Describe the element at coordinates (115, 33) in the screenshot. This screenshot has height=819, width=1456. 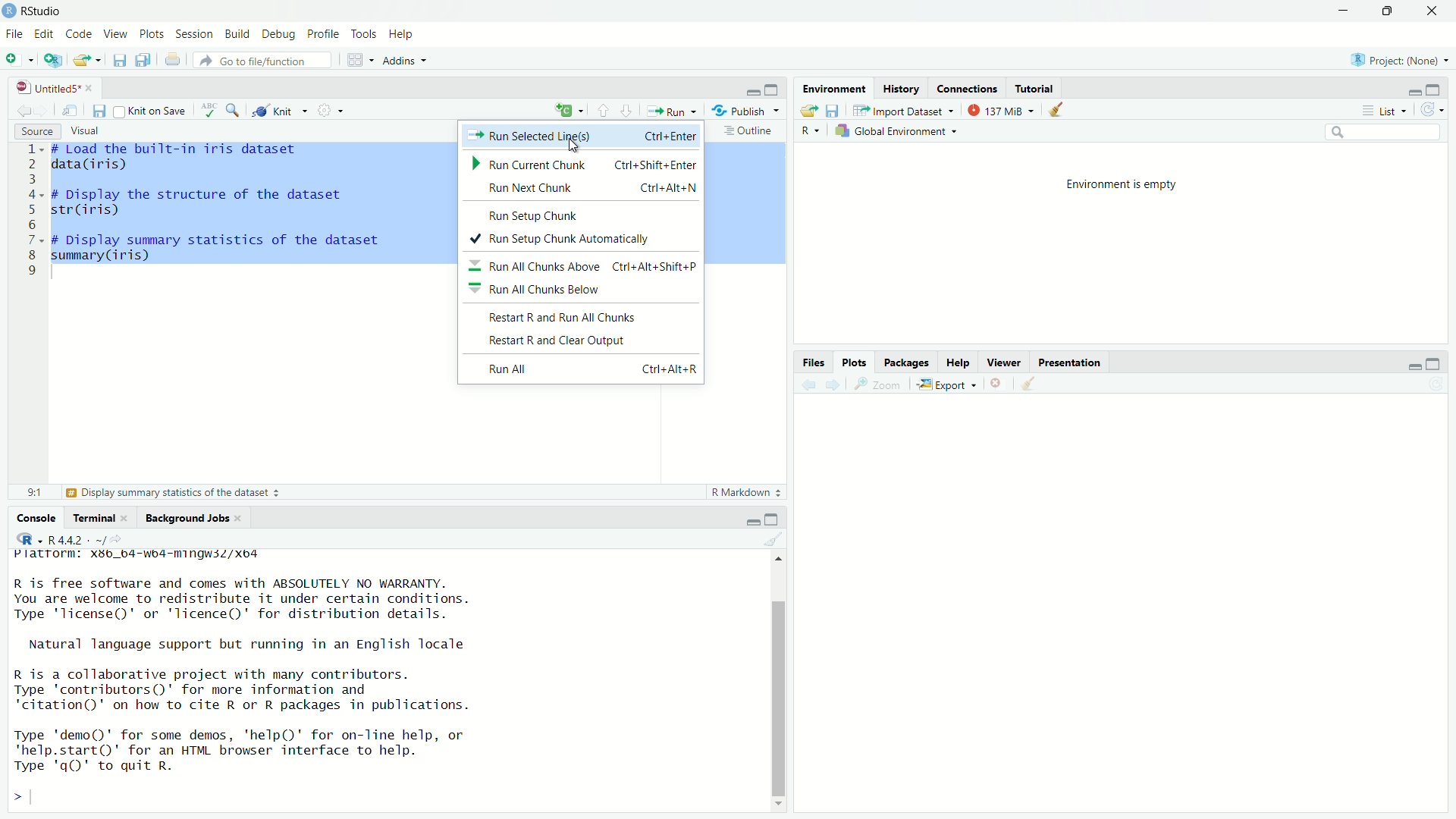
I see `View` at that location.